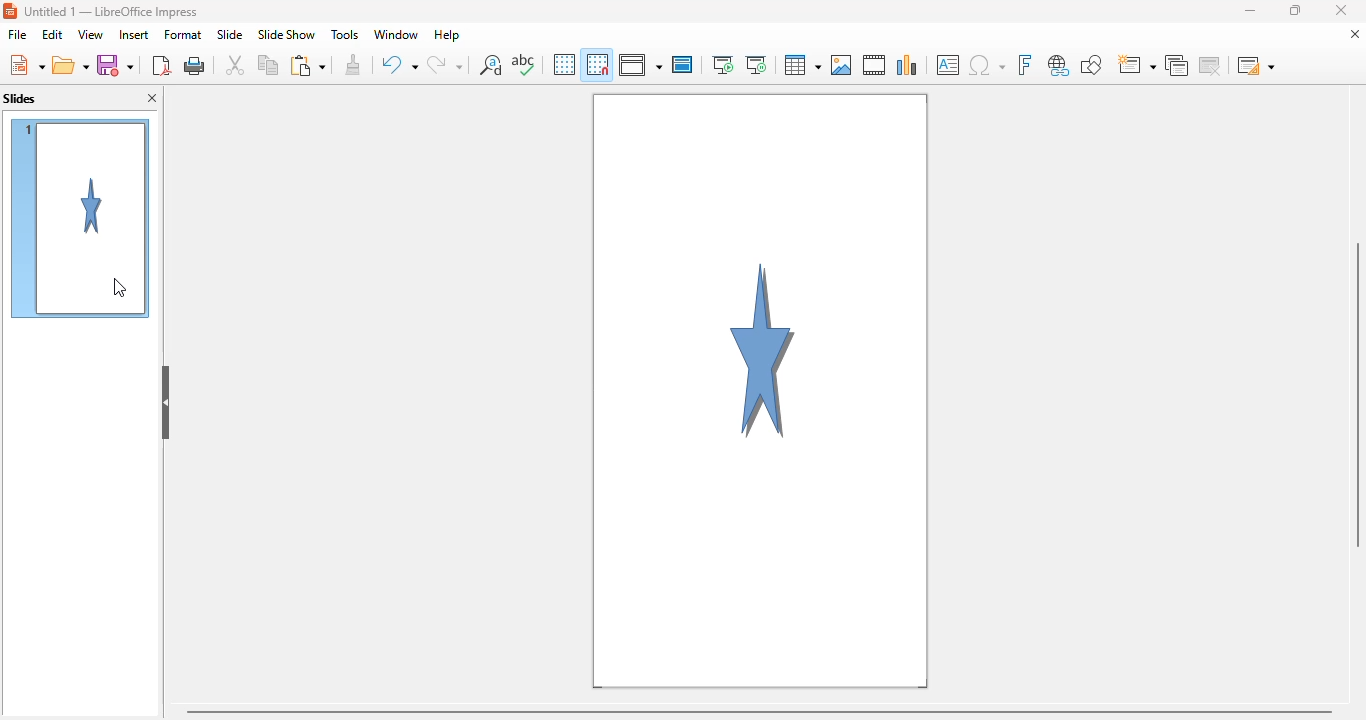  What do you see at coordinates (762, 710) in the screenshot?
I see `horizontal scroll bar` at bounding box center [762, 710].